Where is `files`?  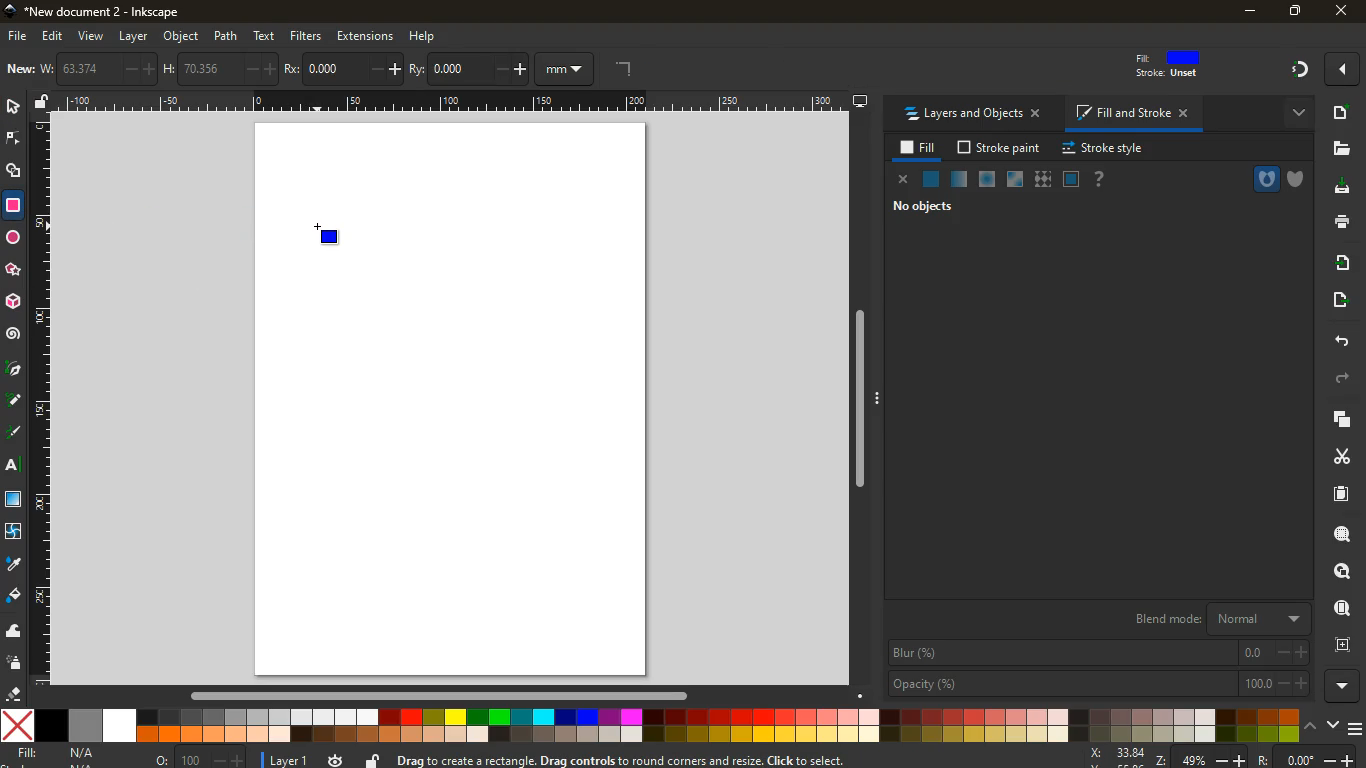
files is located at coordinates (1334, 148).